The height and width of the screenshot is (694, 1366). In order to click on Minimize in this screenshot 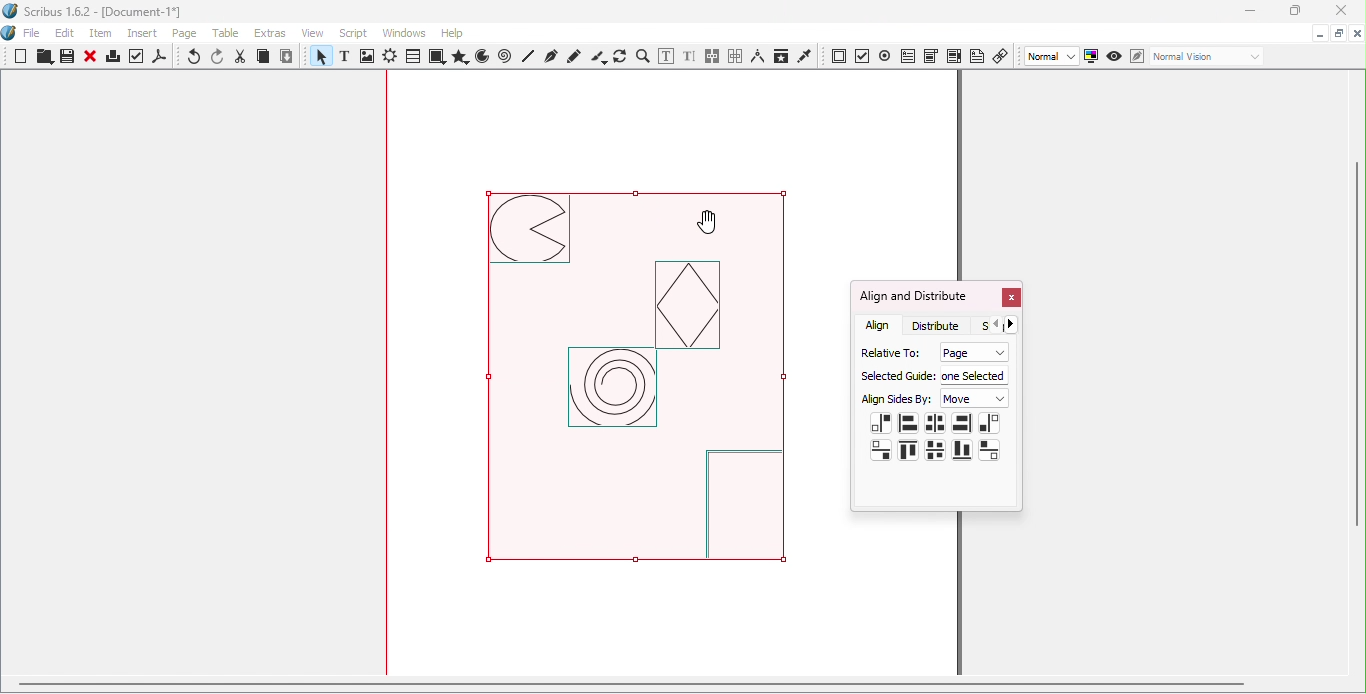, I will do `click(1249, 12)`.